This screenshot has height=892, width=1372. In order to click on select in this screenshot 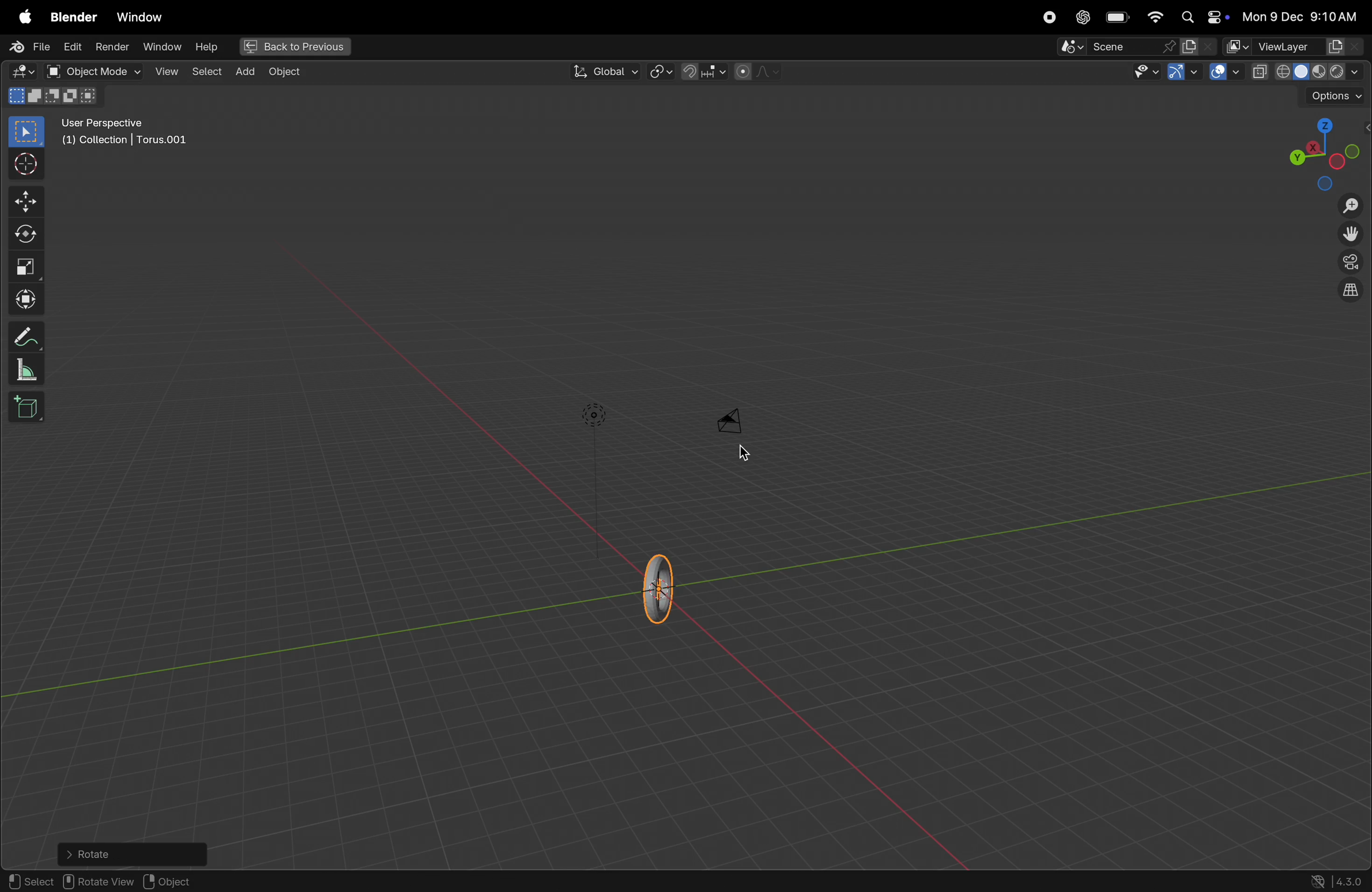, I will do `click(31, 879)`.